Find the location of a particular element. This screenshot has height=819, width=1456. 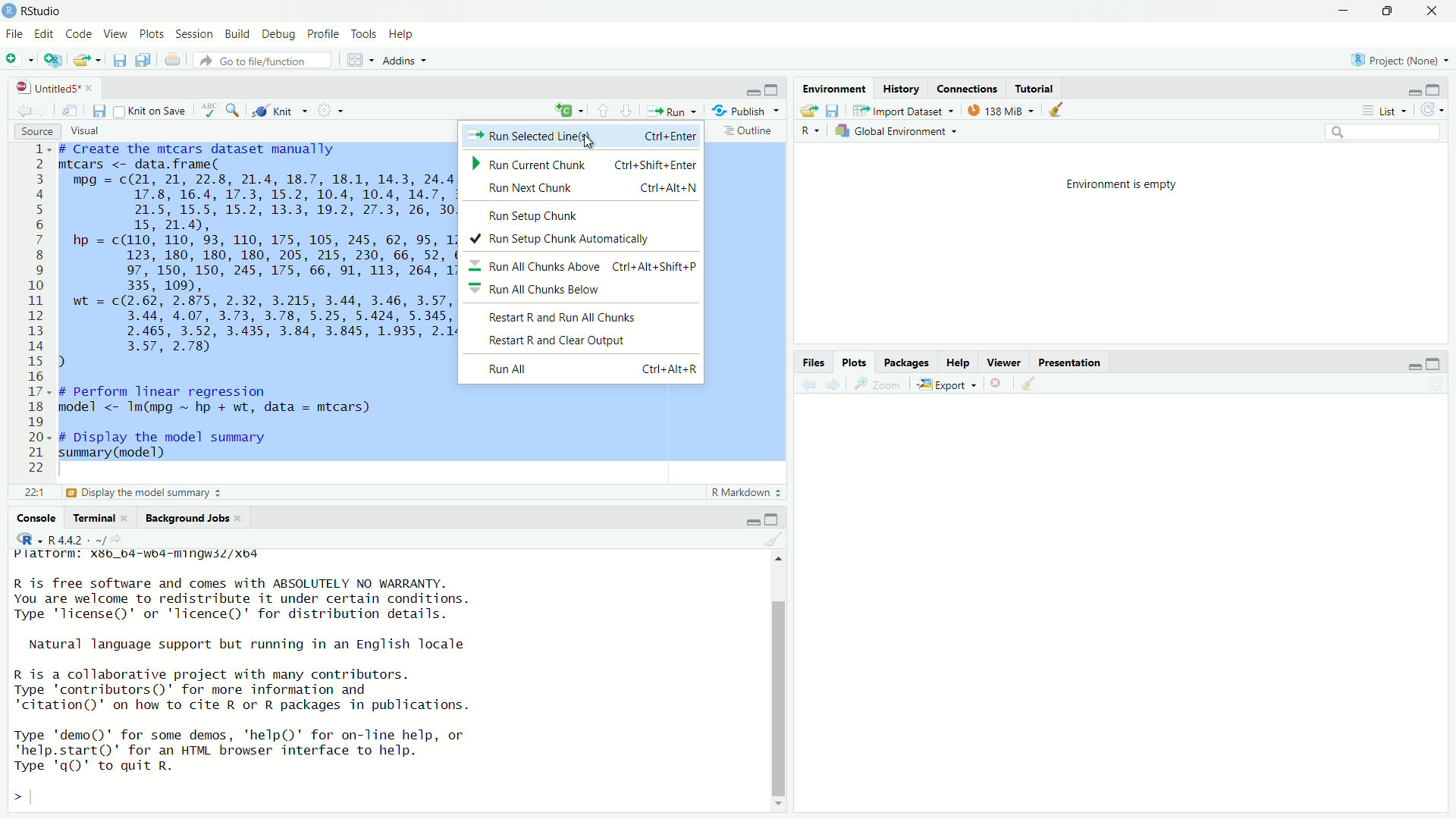

Restart R and Clear Output is located at coordinates (554, 340).